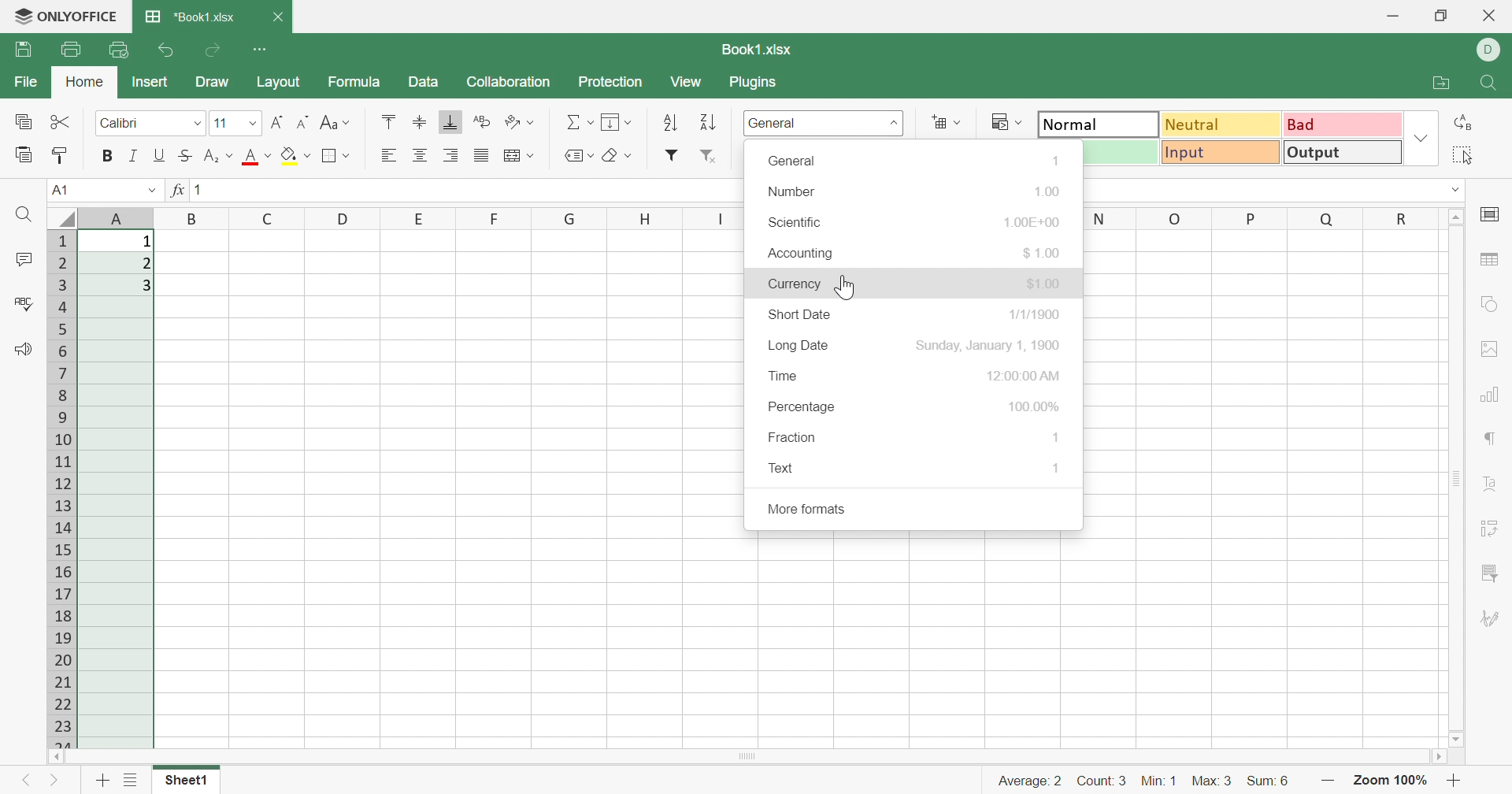 Image resolution: width=1512 pixels, height=794 pixels. I want to click on Summation, so click(579, 121).